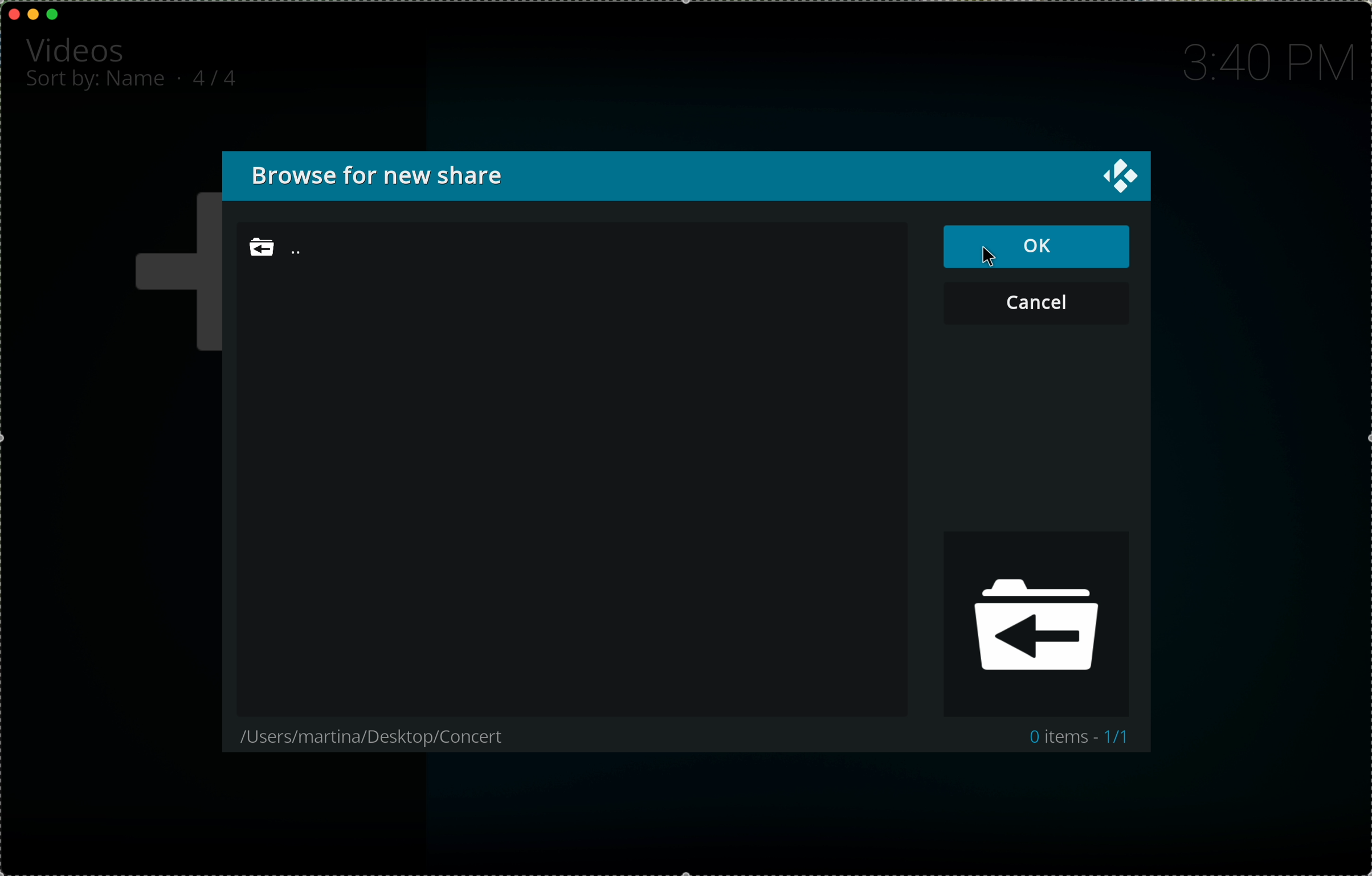  What do you see at coordinates (15, 14) in the screenshot?
I see `close` at bounding box center [15, 14].